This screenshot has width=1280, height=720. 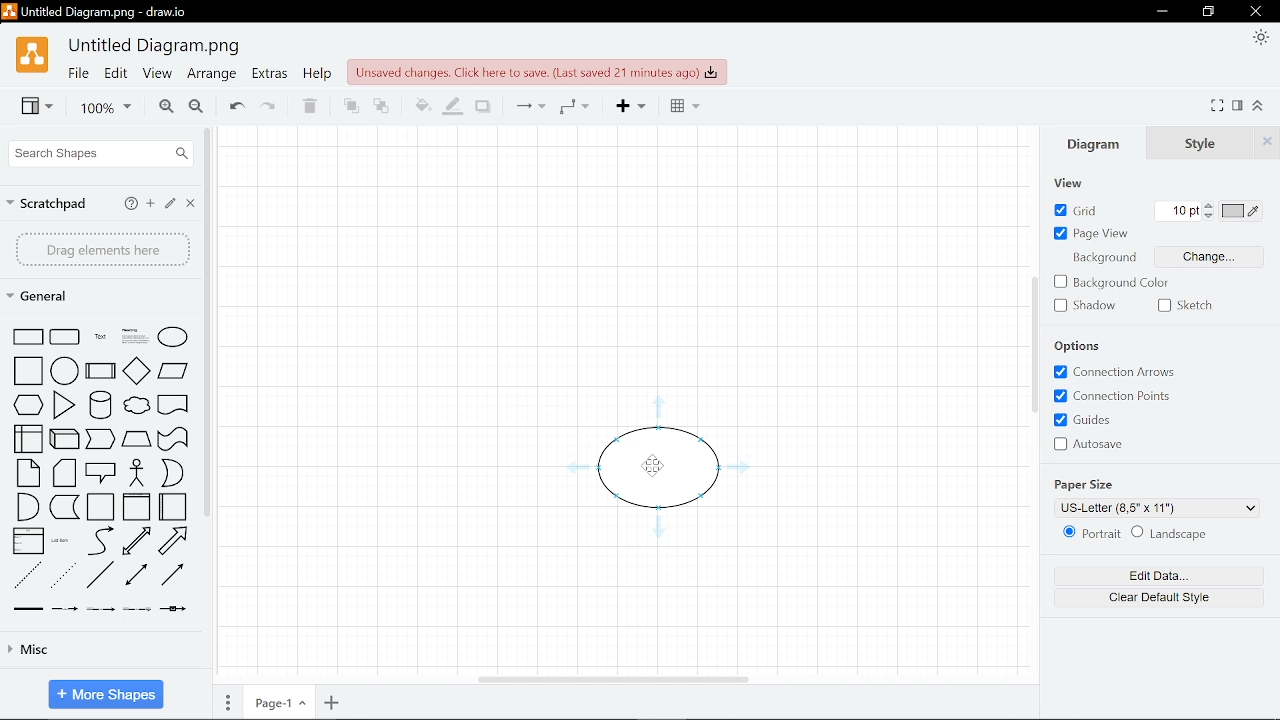 I want to click on Decrease grid, so click(x=1211, y=218).